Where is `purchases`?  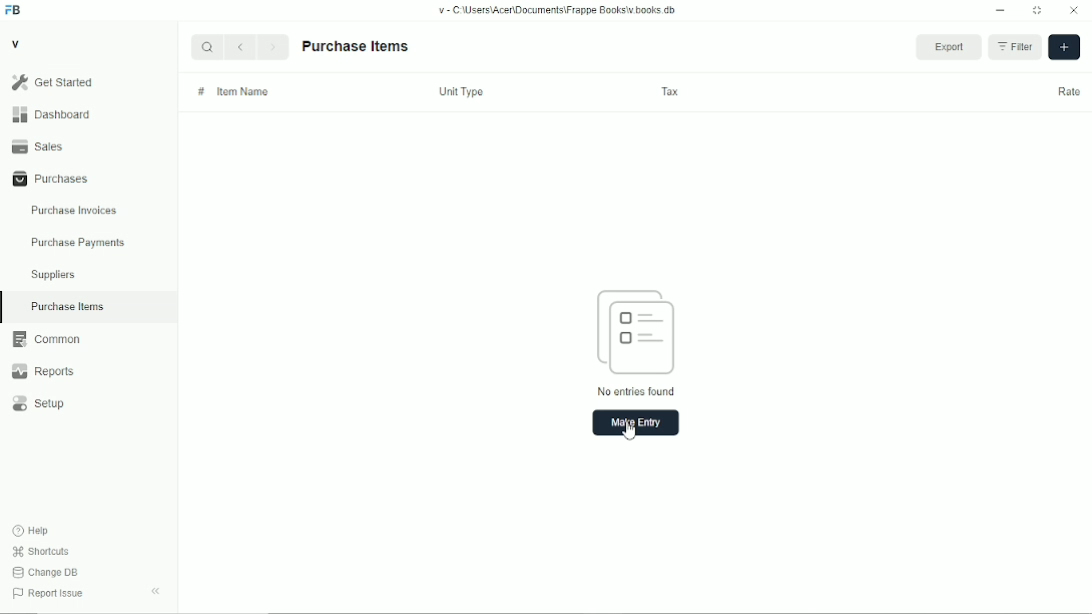
purchases is located at coordinates (51, 179).